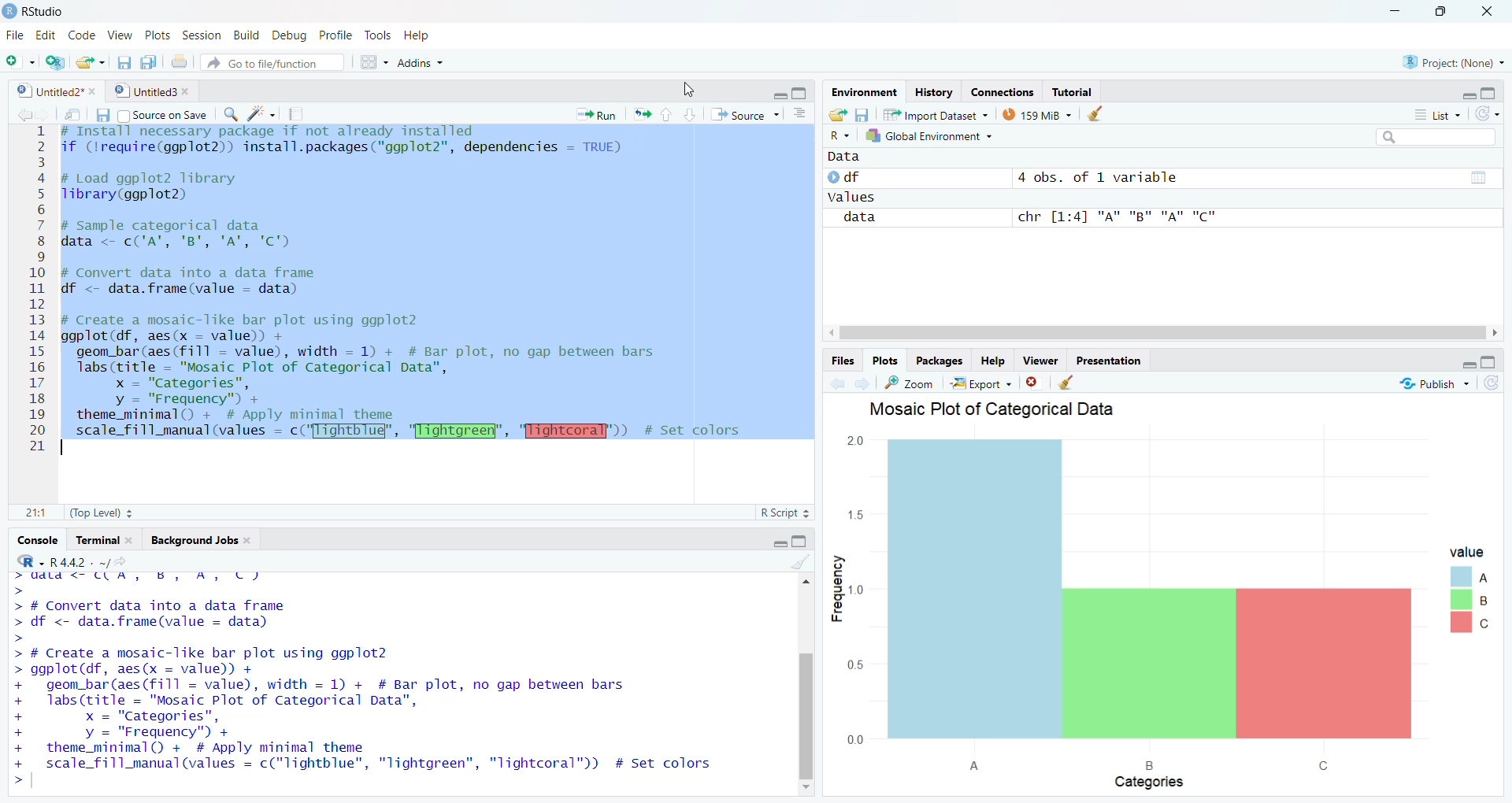 This screenshot has width=1512, height=803. I want to click on Build, so click(246, 37).